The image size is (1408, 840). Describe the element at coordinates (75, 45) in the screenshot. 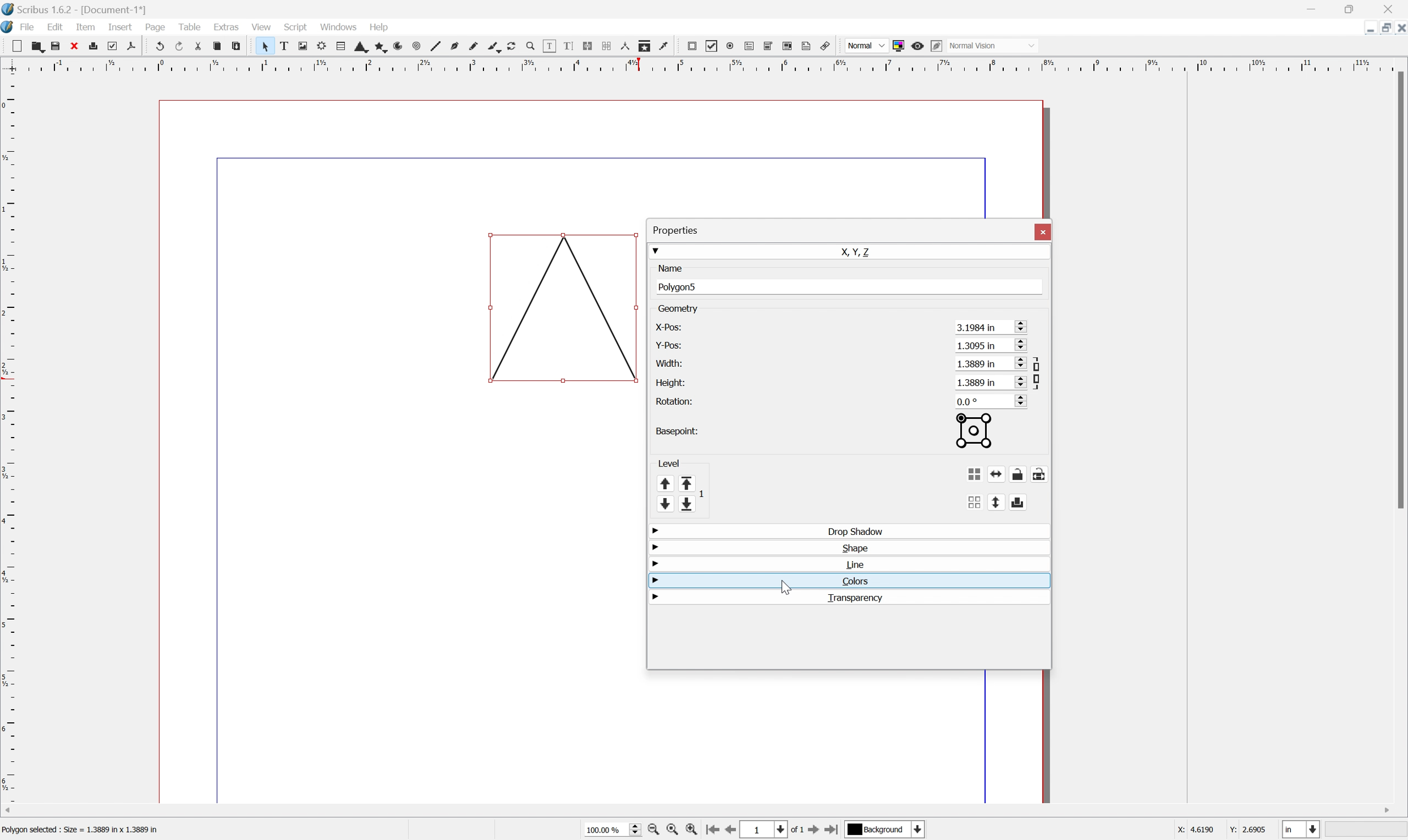

I see `Close` at that location.